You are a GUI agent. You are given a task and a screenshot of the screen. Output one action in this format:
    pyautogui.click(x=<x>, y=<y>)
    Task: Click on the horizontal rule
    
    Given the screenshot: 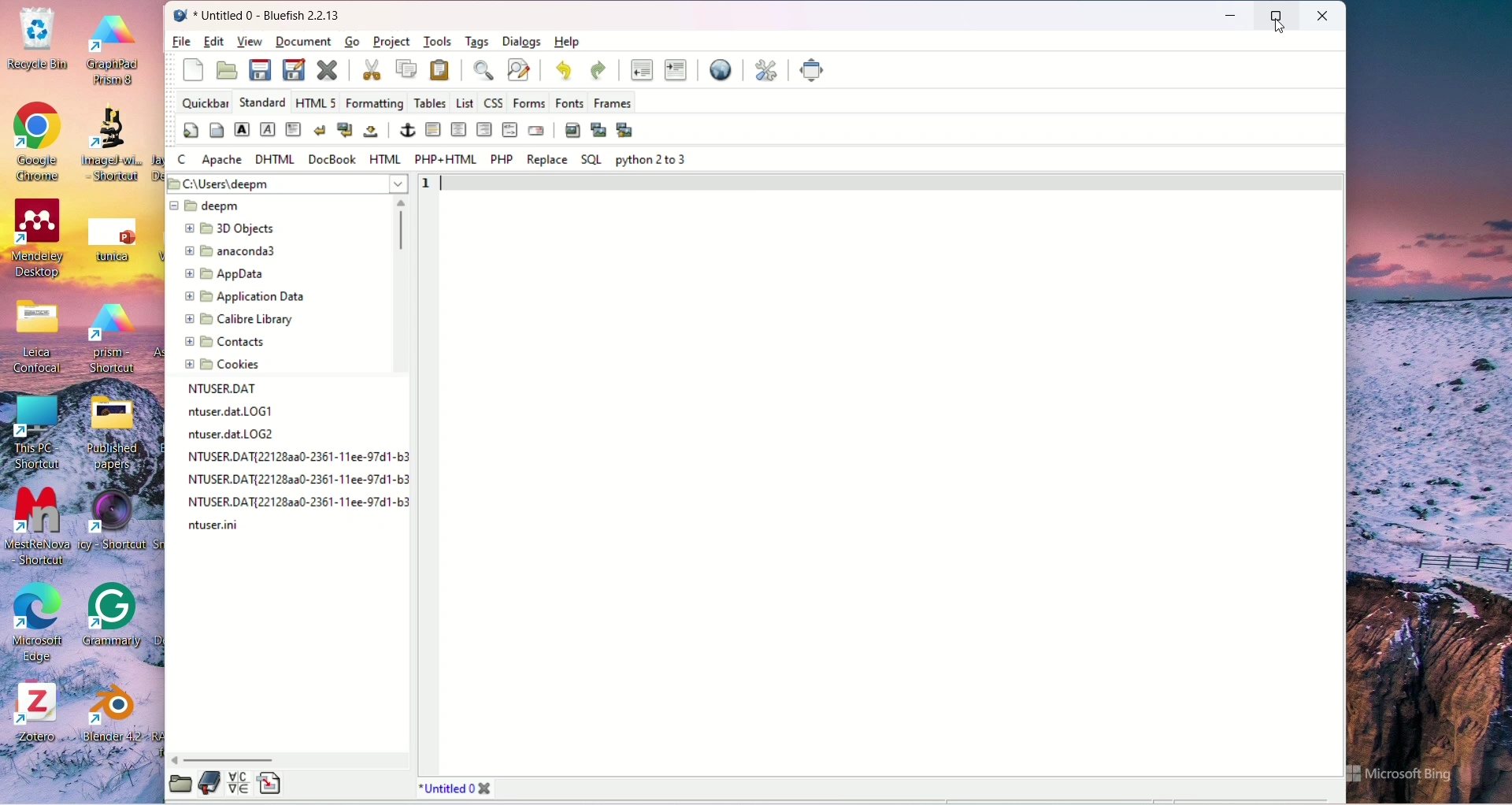 What is the action you would take?
    pyautogui.click(x=432, y=129)
    